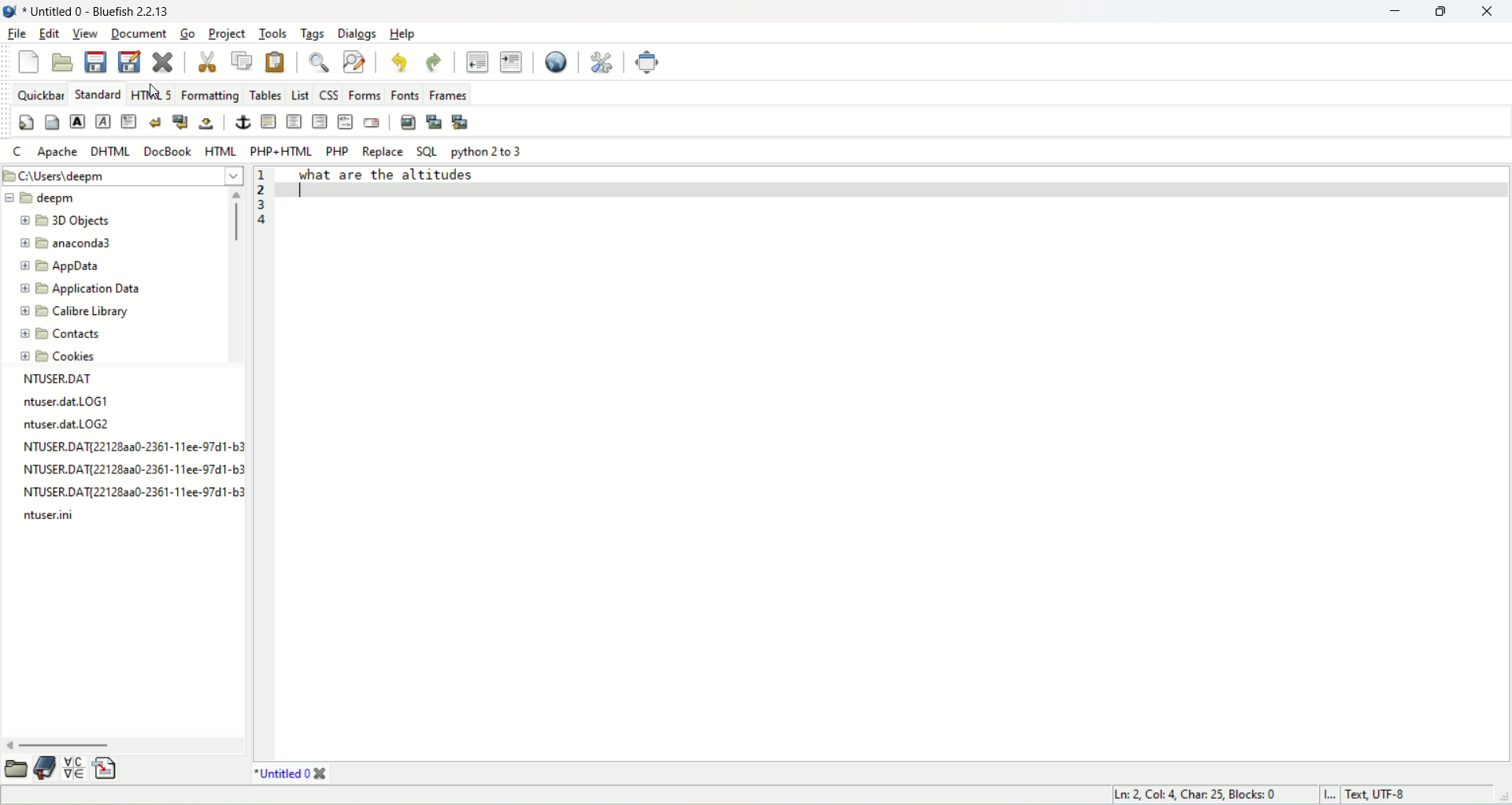 This screenshot has width=1512, height=805. I want to click on open, so click(17, 770).